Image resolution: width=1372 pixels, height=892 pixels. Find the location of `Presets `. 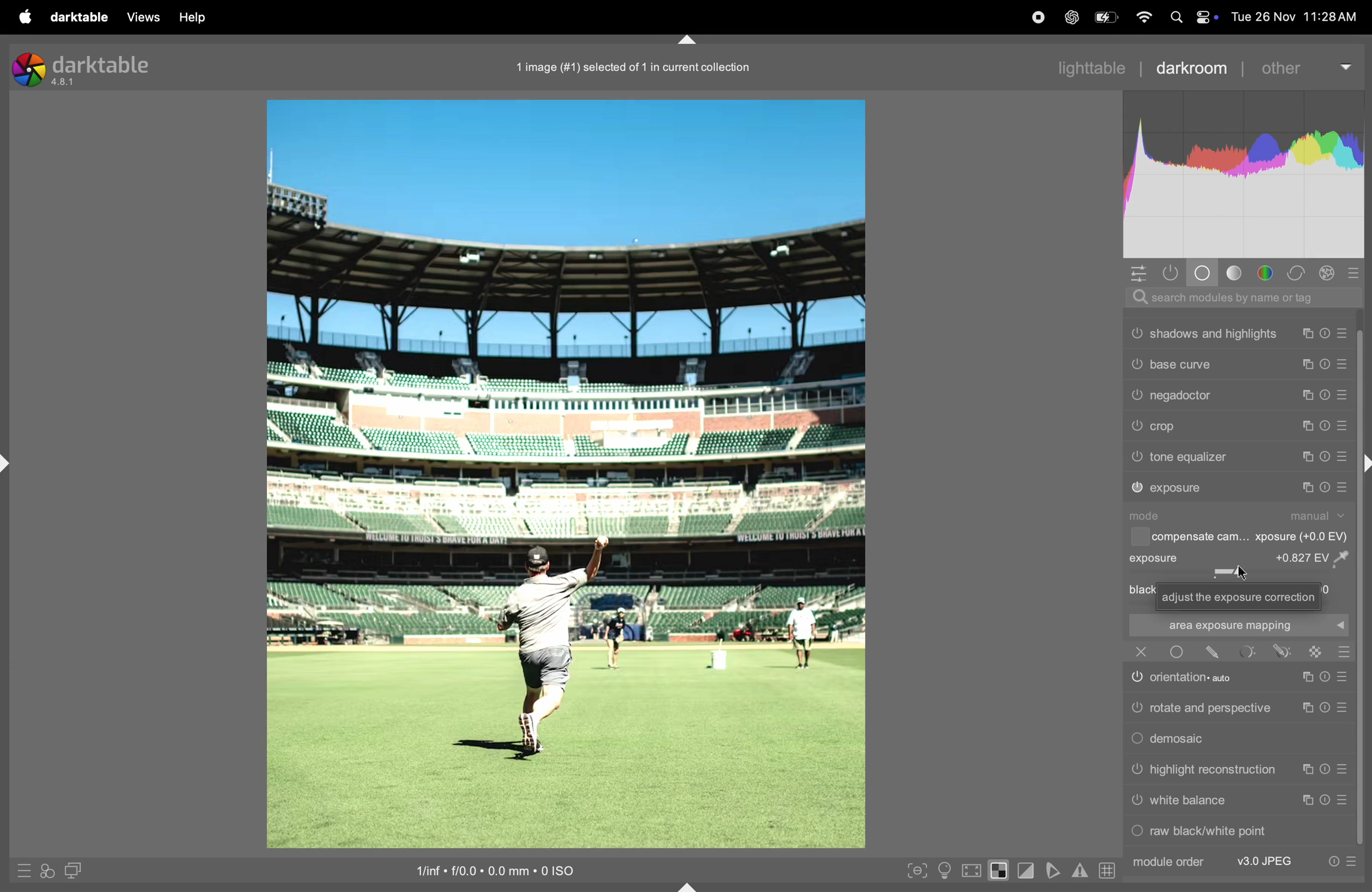

Presets  is located at coordinates (1344, 334).